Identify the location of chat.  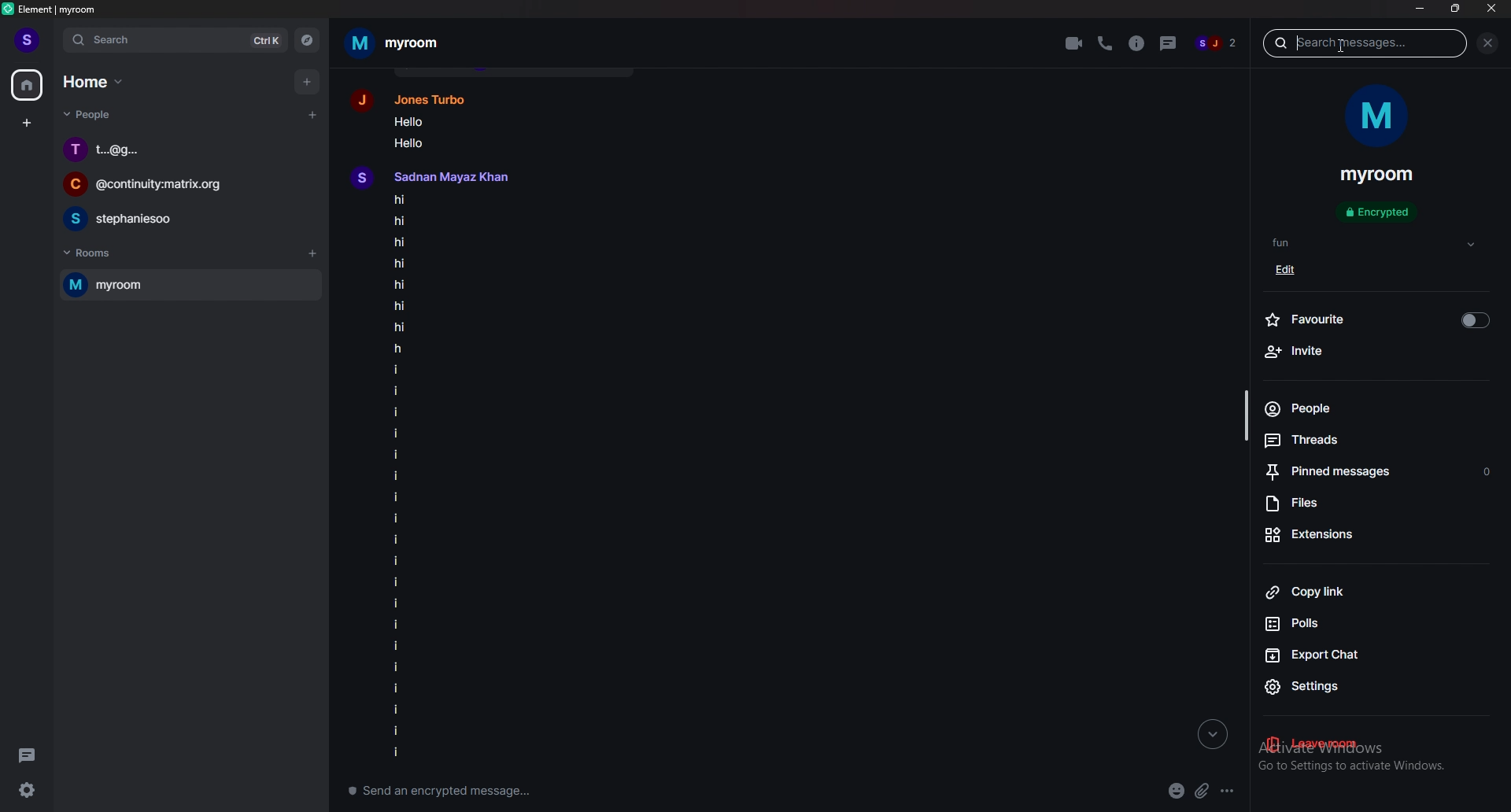
(187, 219).